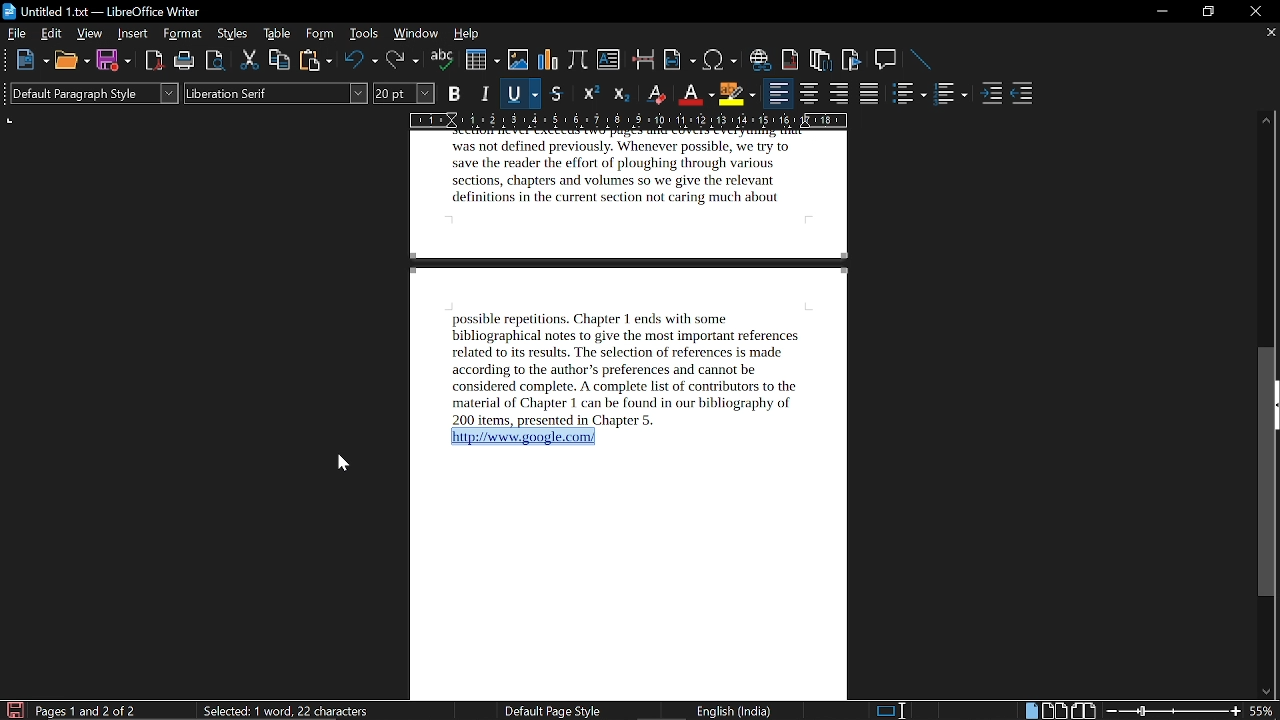 The height and width of the screenshot is (720, 1280). Describe the element at coordinates (232, 34) in the screenshot. I see `styles` at that location.